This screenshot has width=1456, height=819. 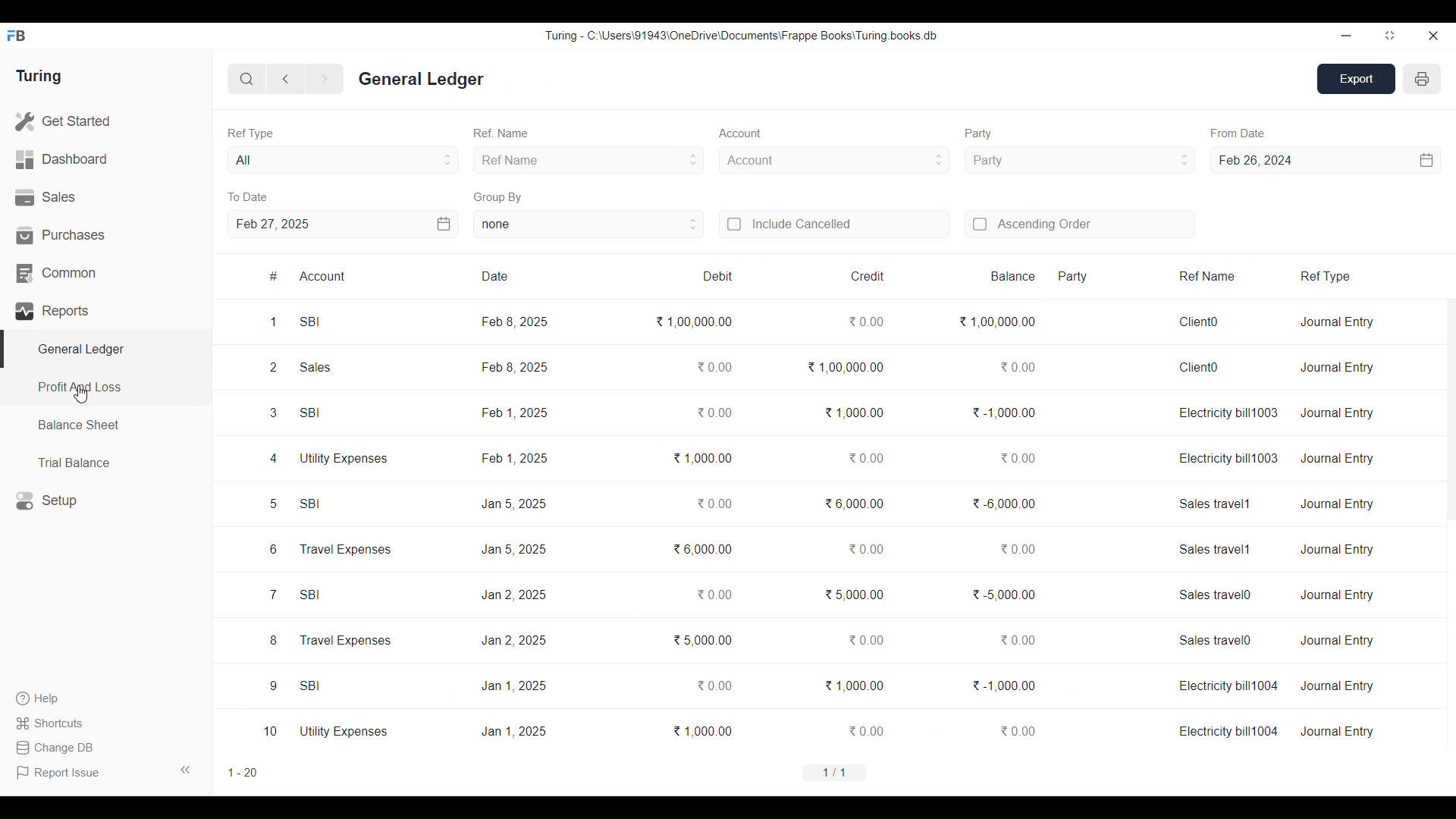 What do you see at coordinates (386, 224) in the screenshot?
I see `Customize to date` at bounding box center [386, 224].